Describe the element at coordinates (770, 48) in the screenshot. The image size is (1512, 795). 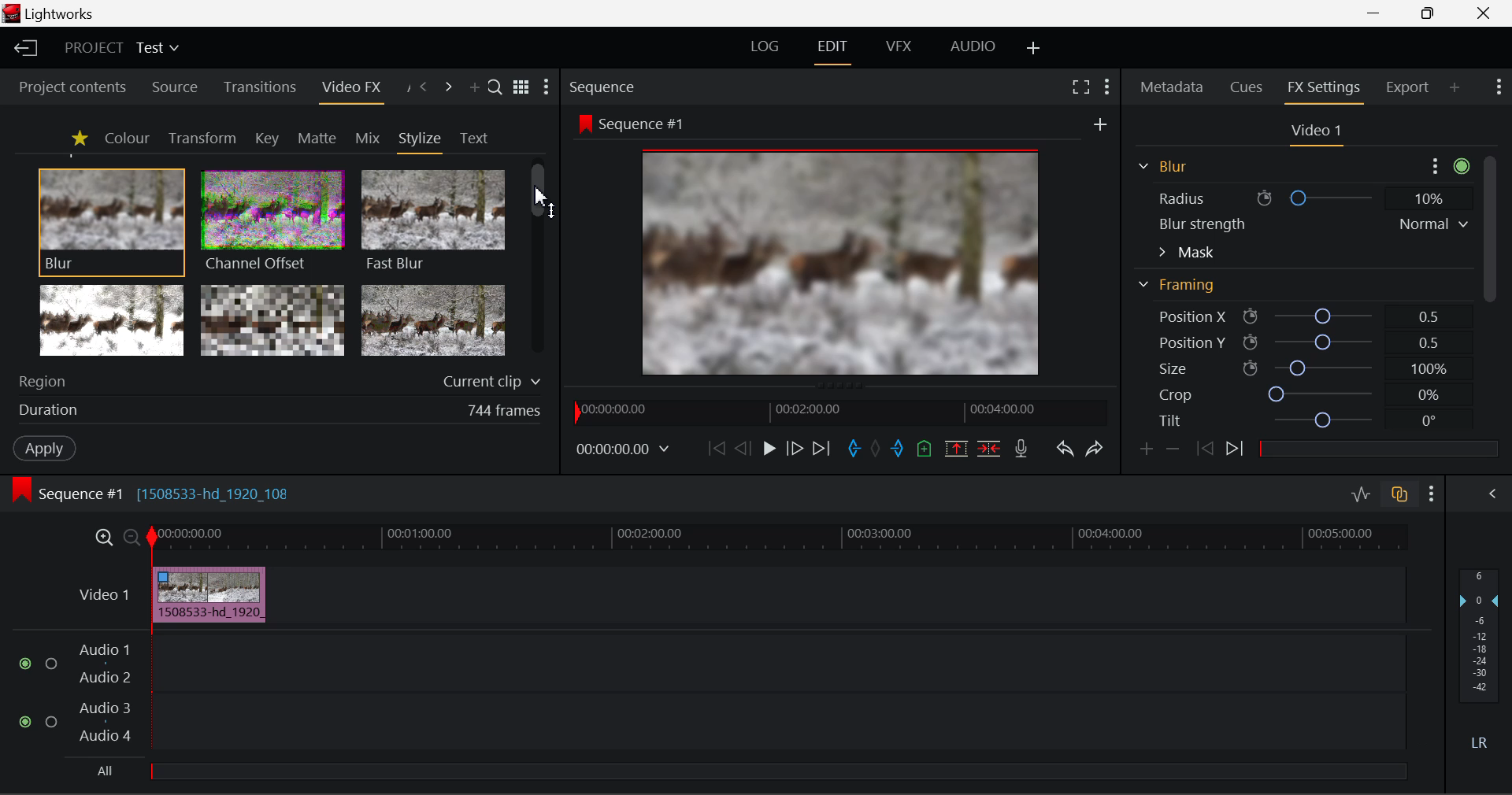
I see `LOG Layout` at that location.